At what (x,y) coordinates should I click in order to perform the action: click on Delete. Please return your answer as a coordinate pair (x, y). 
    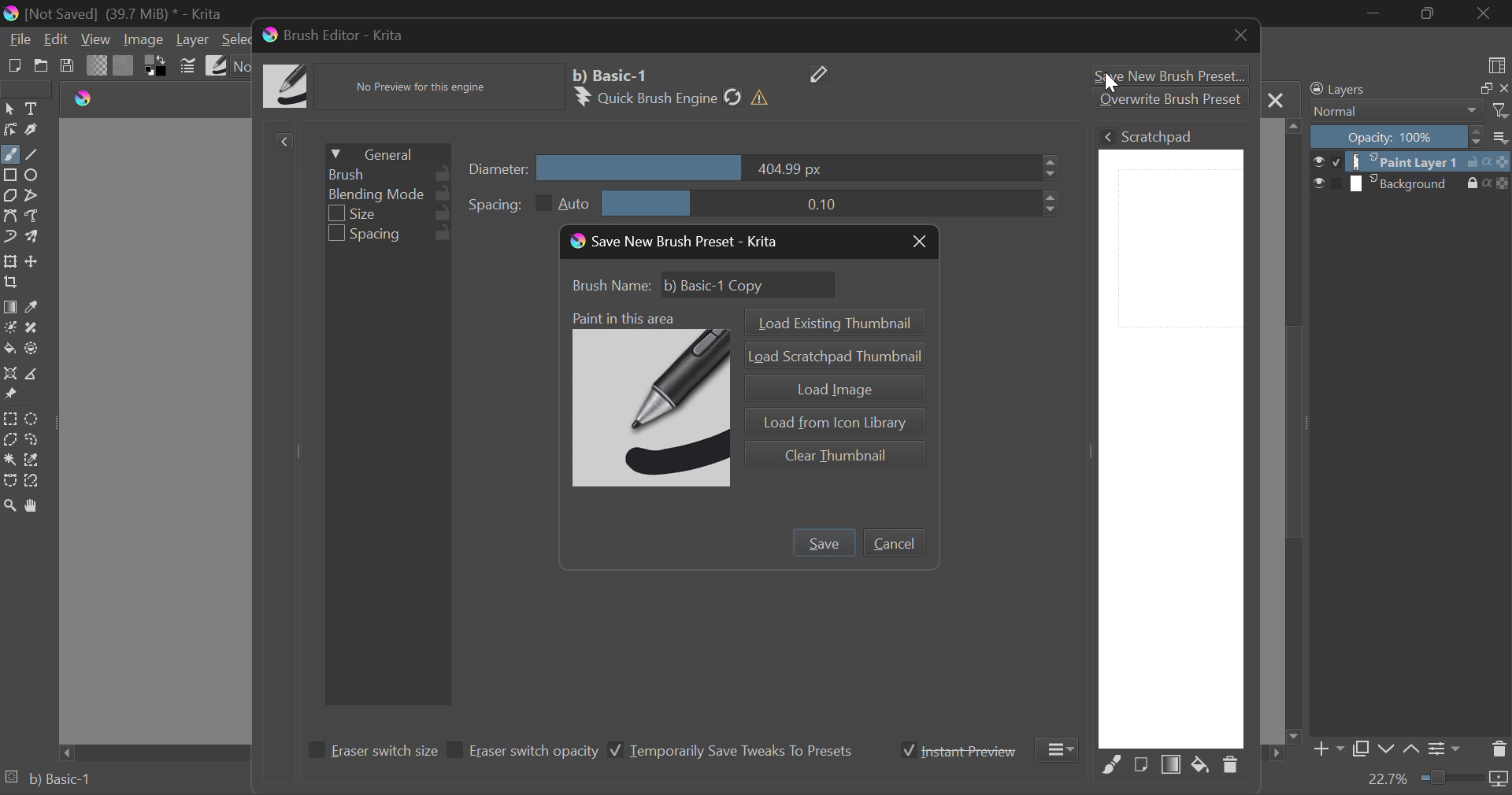
    Looking at the image, I should click on (1230, 768).